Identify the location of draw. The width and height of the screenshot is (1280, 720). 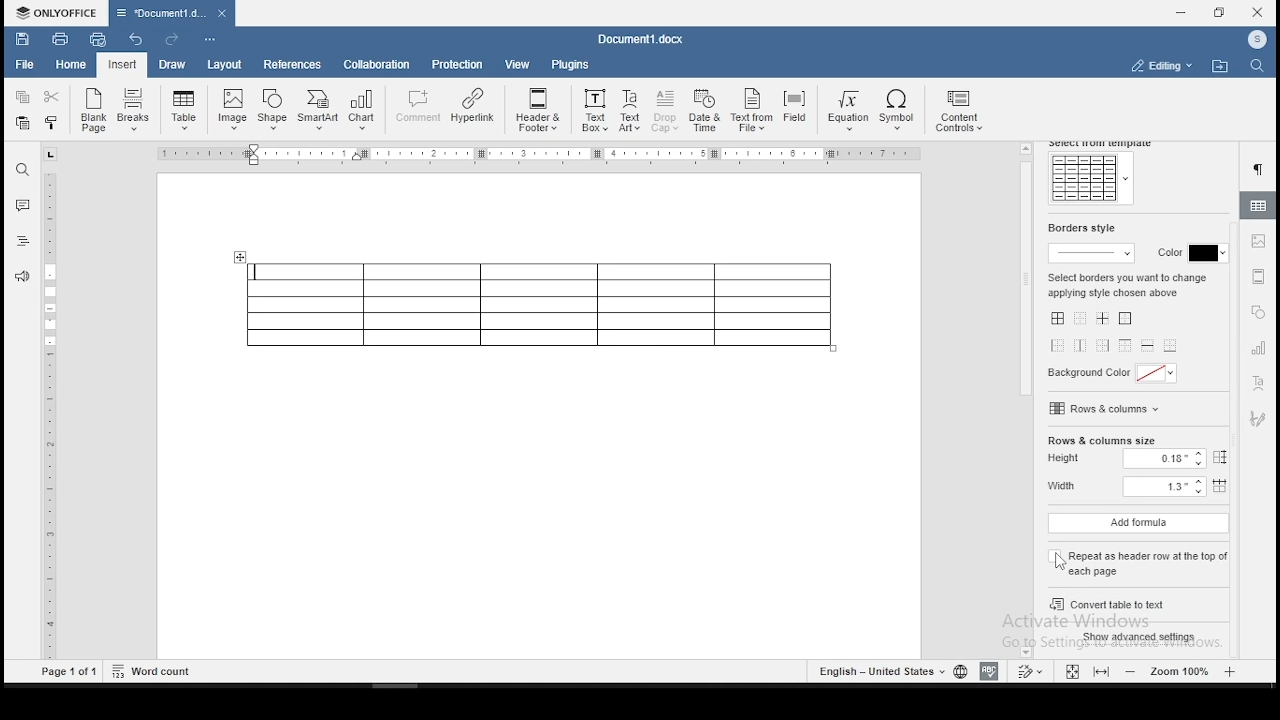
(172, 66).